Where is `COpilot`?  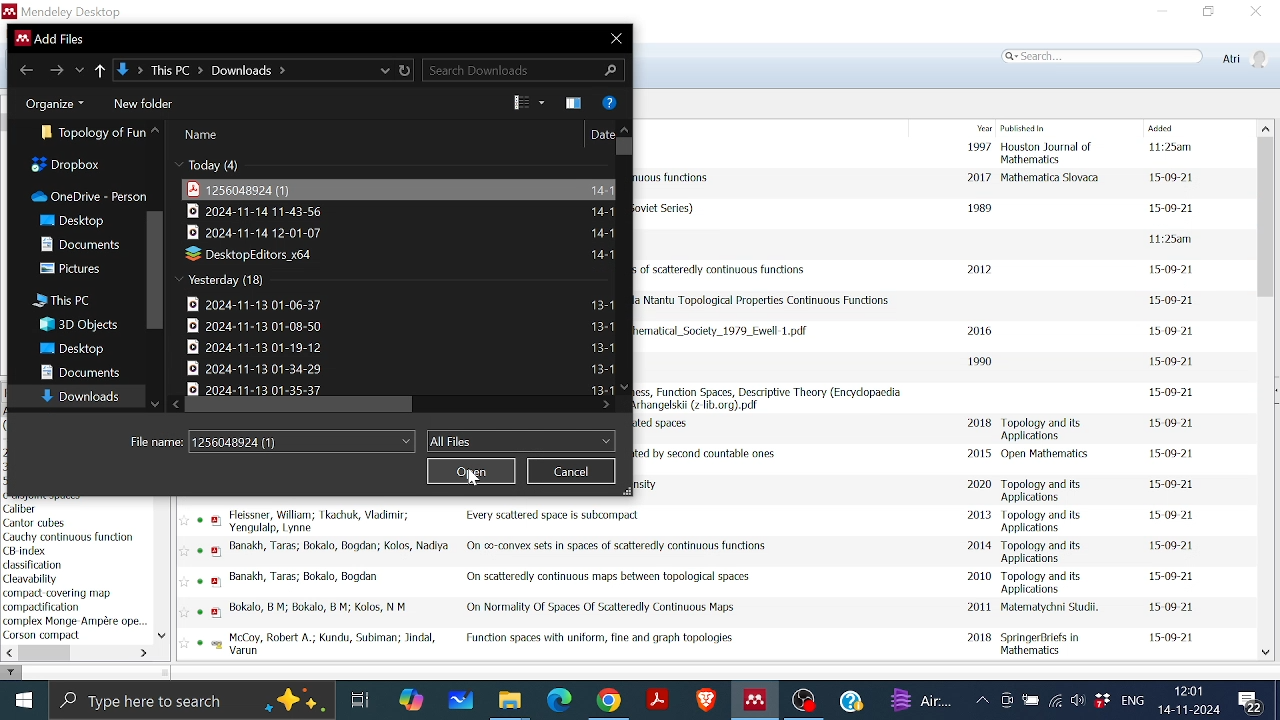 COpilot is located at coordinates (410, 700).